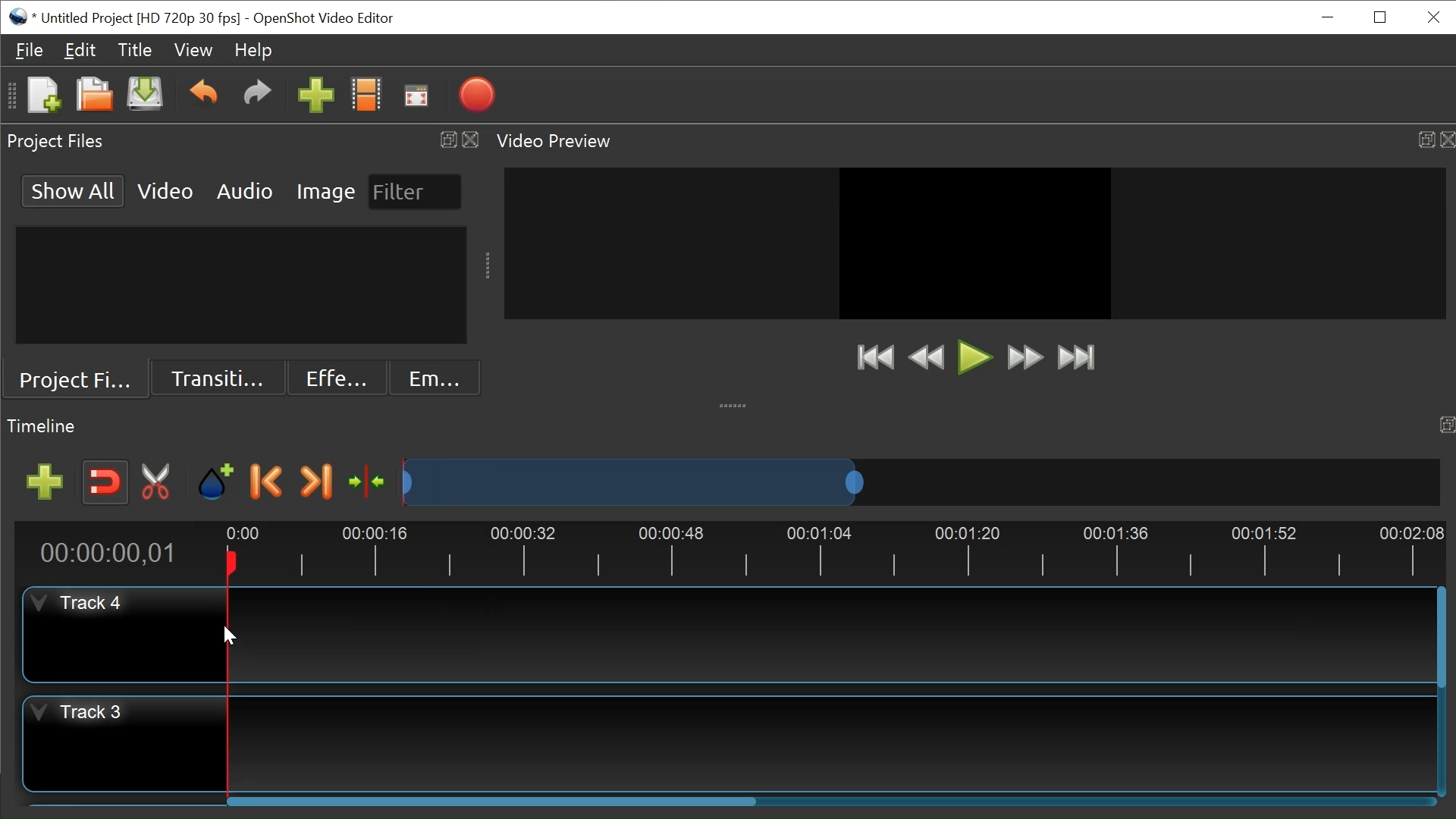 This screenshot has height=819, width=1456. I want to click on Jump to Start, so click(873, 356).